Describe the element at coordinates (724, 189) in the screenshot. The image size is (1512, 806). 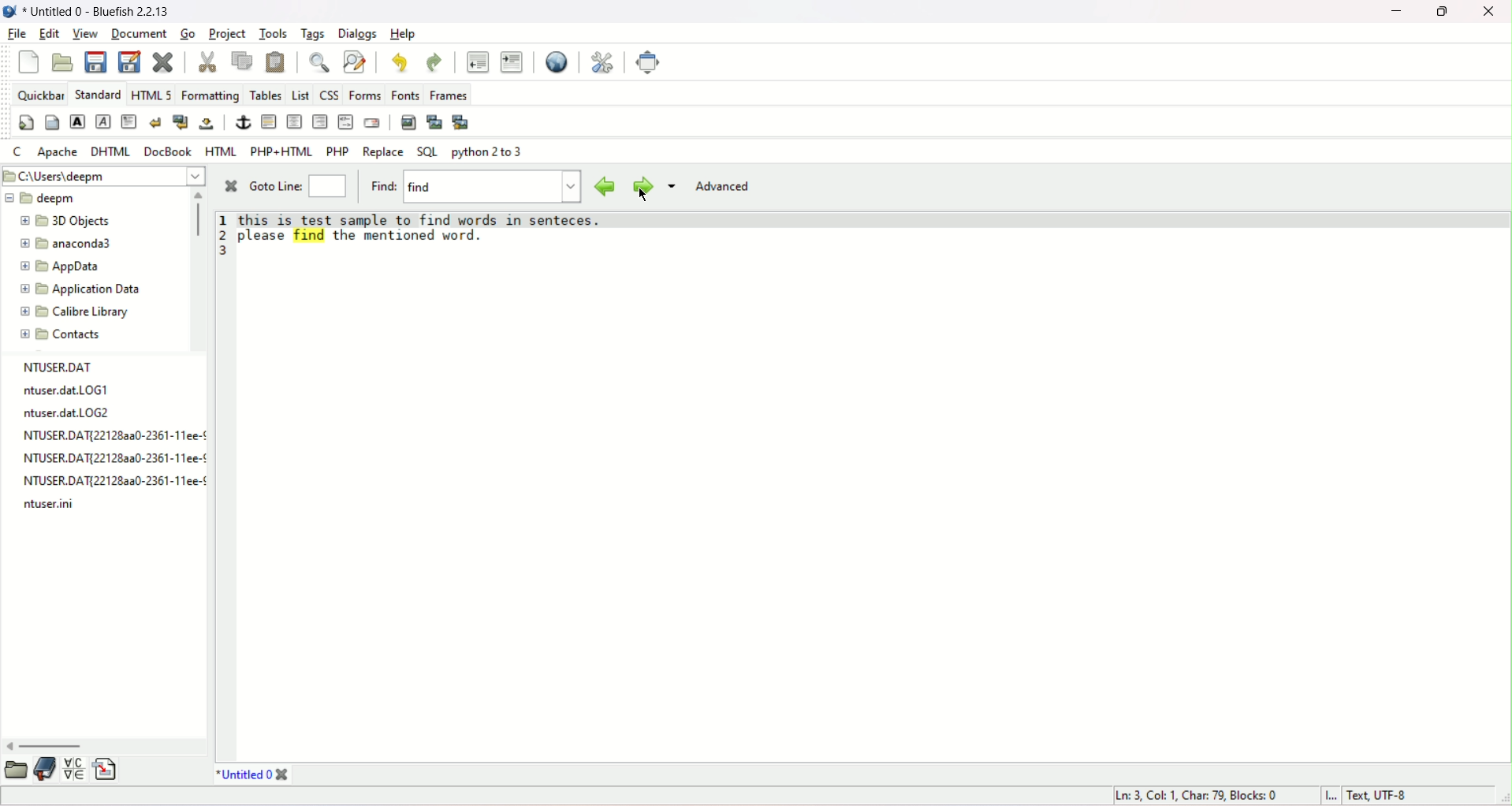
I see `advanced` at that location.